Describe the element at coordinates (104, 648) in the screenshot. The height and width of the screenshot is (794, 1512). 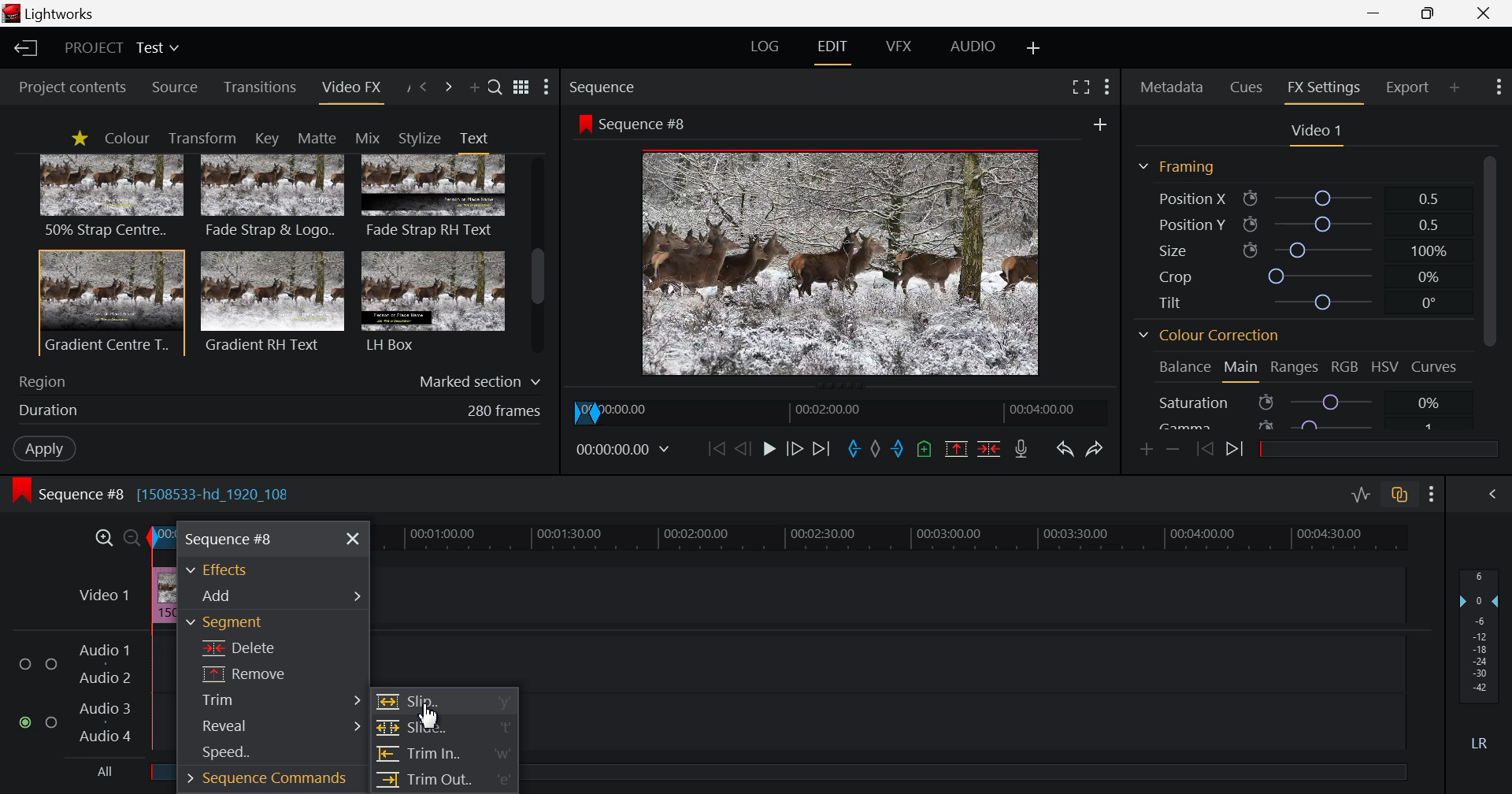
I see `audio 1` at that location.